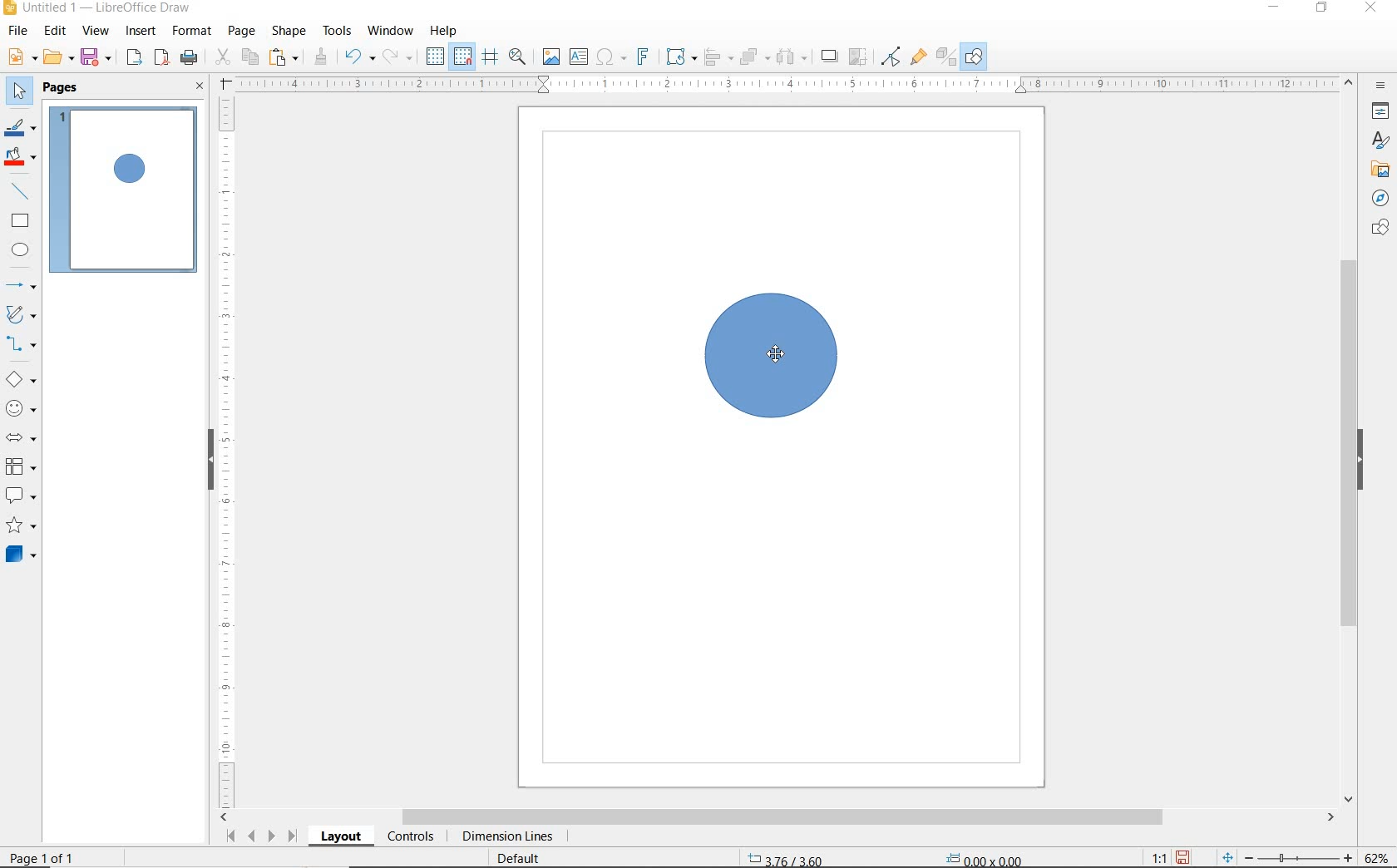  Describe the element at coordinates (341, 839) in the screenshot. I see `LAYOUT` at that location.